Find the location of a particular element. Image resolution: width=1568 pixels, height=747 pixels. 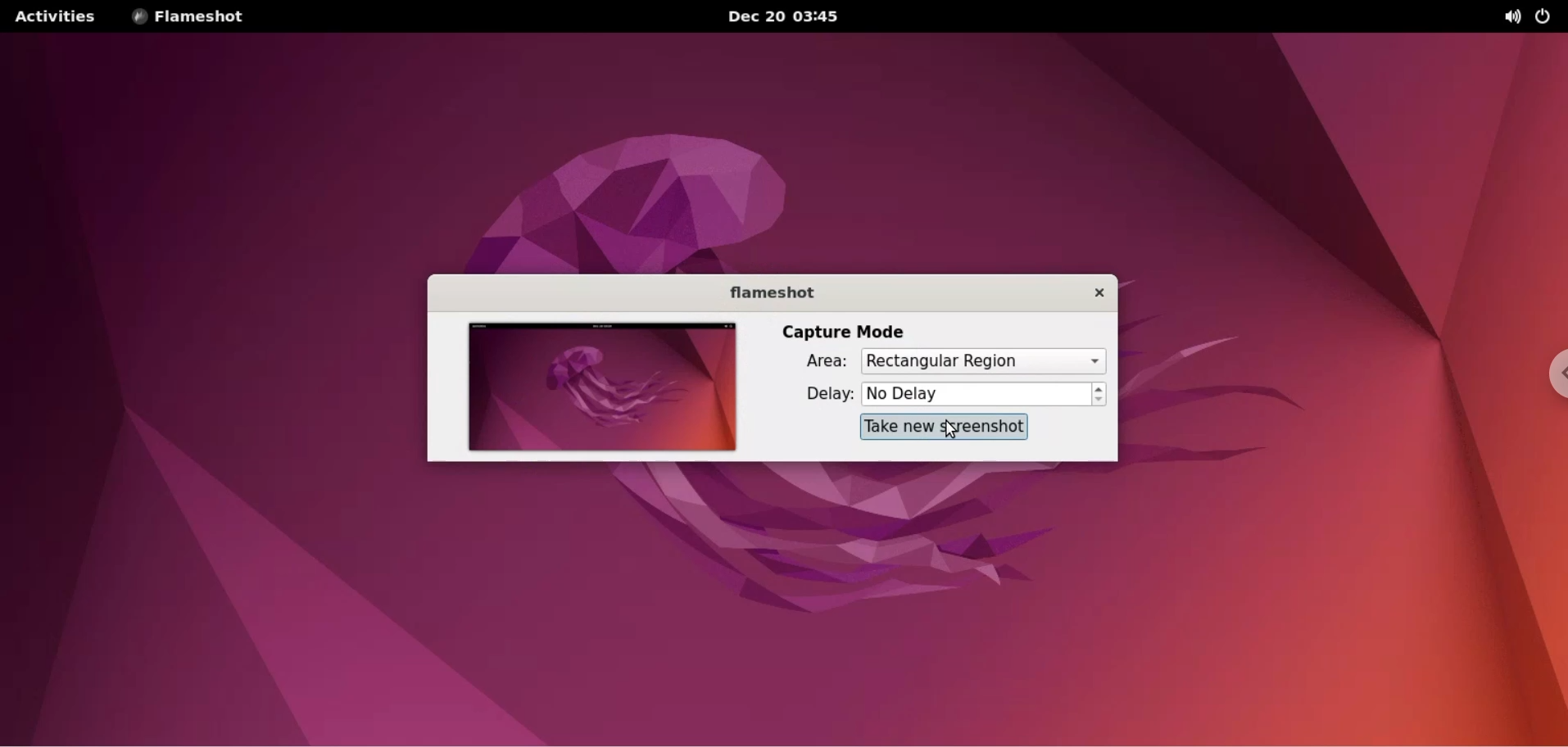

take new screenshot is located at coordinates (945, 427).